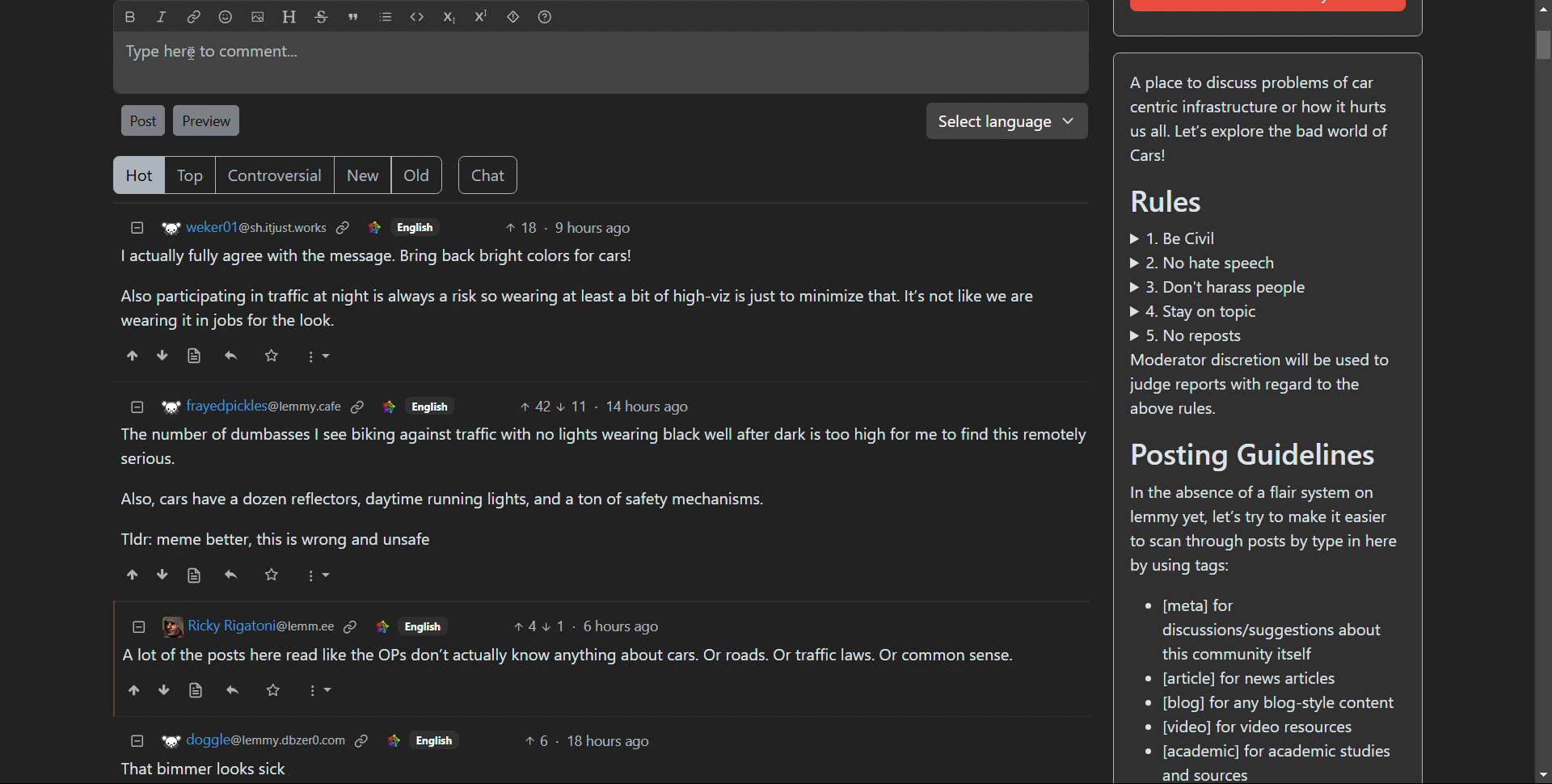 This screenshot has height=784, width=1552. I want to click on collapse, so click(137, 740).